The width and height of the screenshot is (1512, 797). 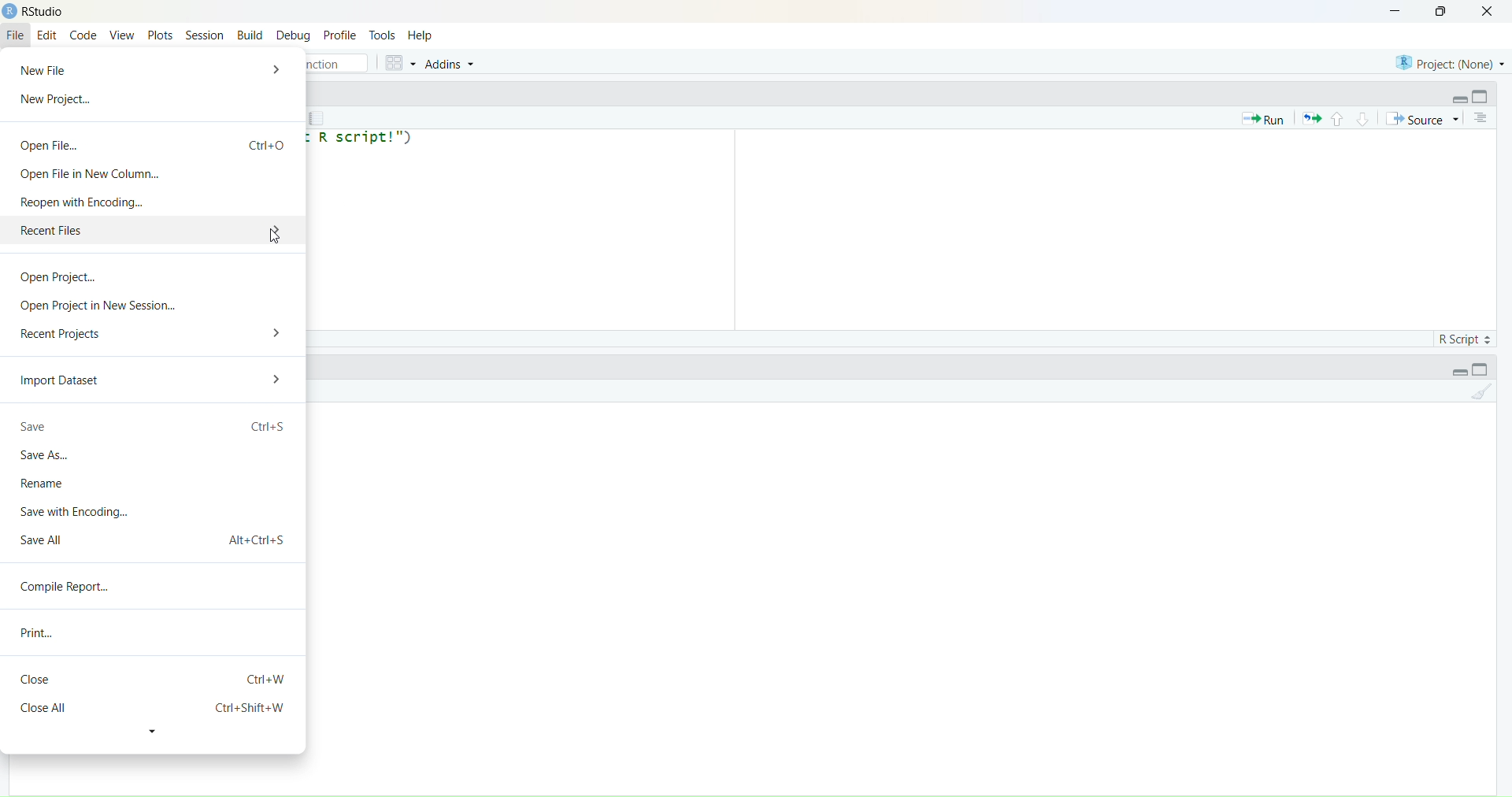 I want to click on Reopen with Encoding.., so click(x=83, y=202).